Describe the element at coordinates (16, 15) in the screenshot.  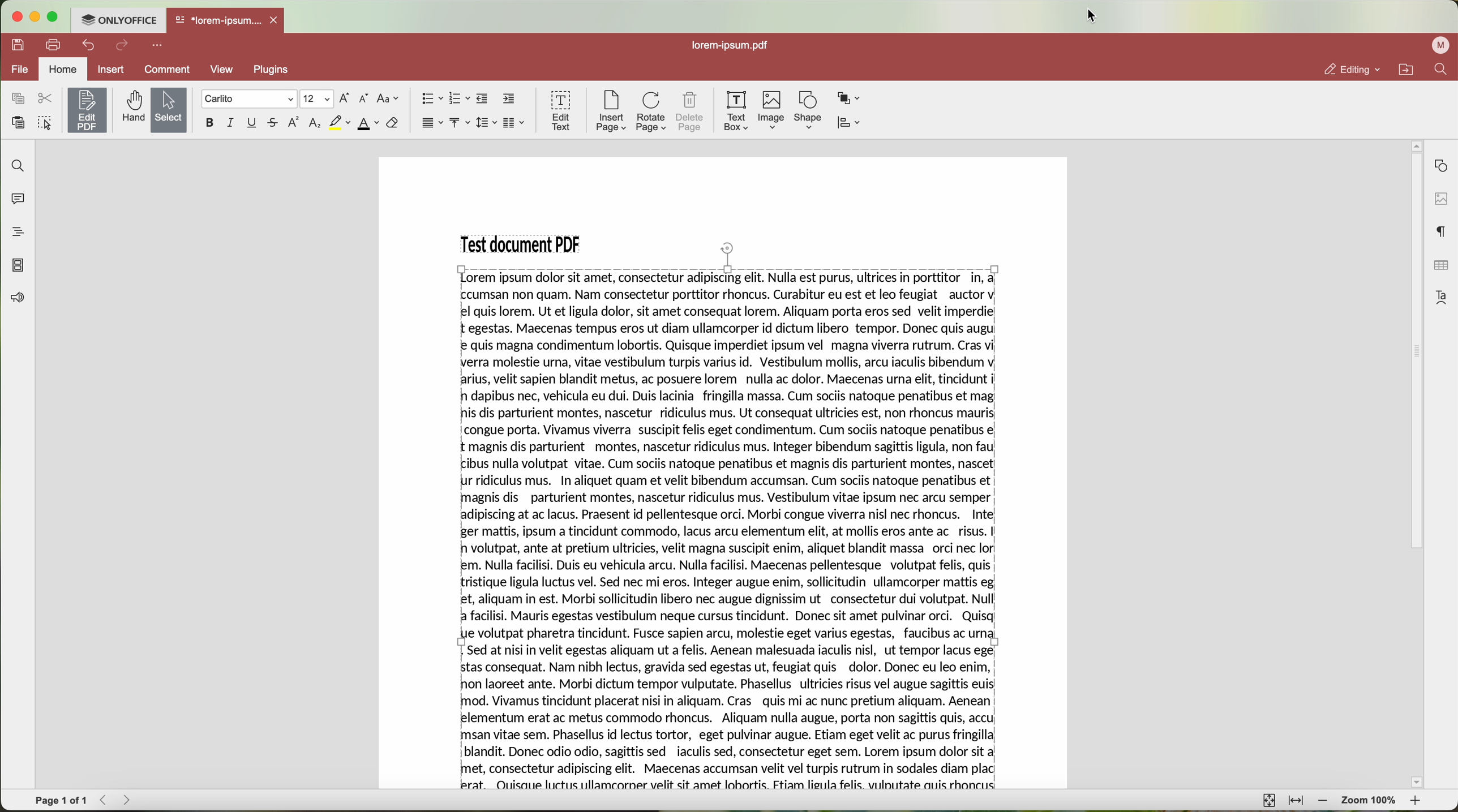
I see `close program` at that location.